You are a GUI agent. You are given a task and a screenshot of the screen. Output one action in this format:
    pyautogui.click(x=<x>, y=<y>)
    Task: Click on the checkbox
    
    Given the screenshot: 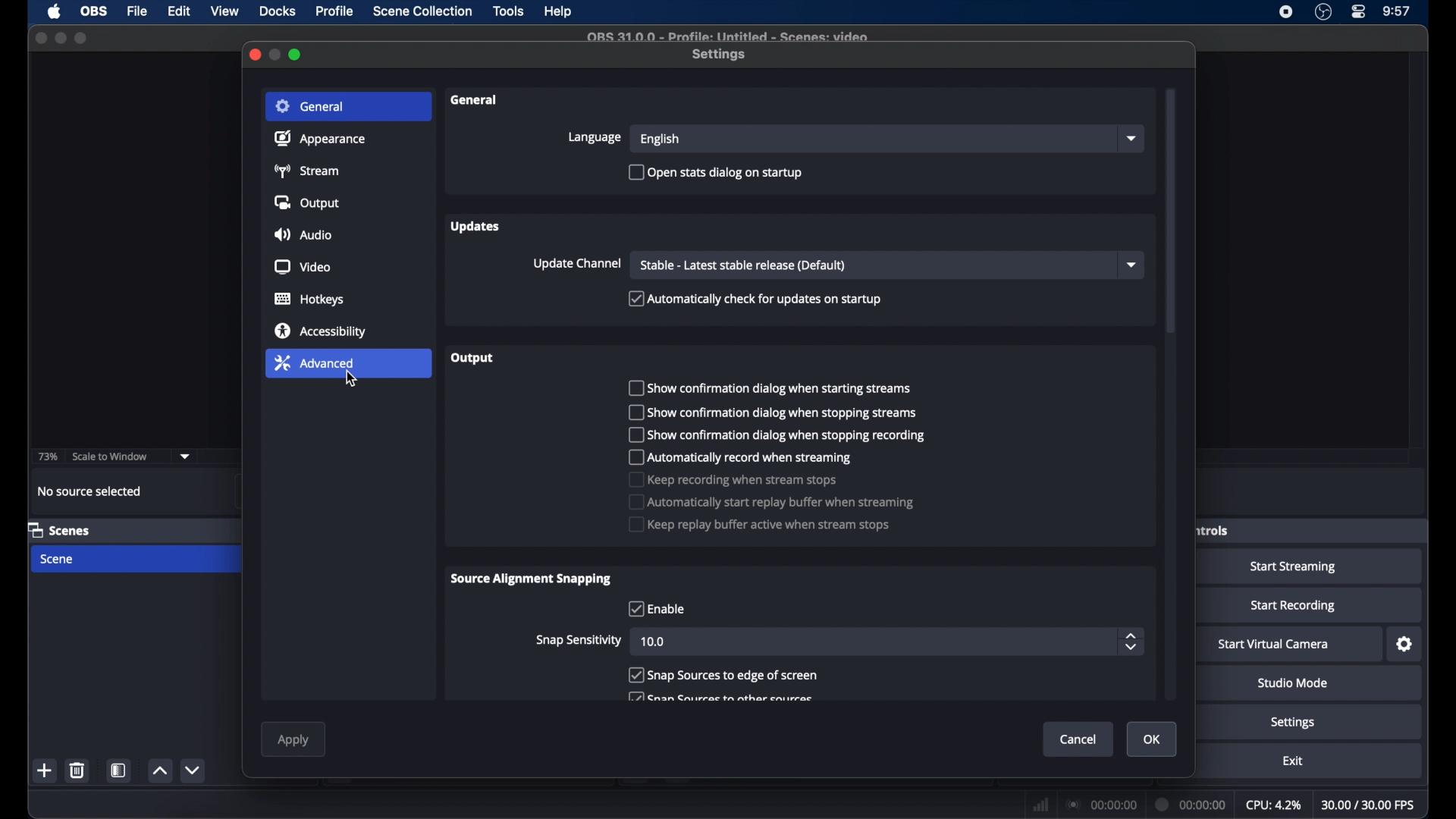 What is the action you would take?
    pyautogui.click(x=655, y=608)
    